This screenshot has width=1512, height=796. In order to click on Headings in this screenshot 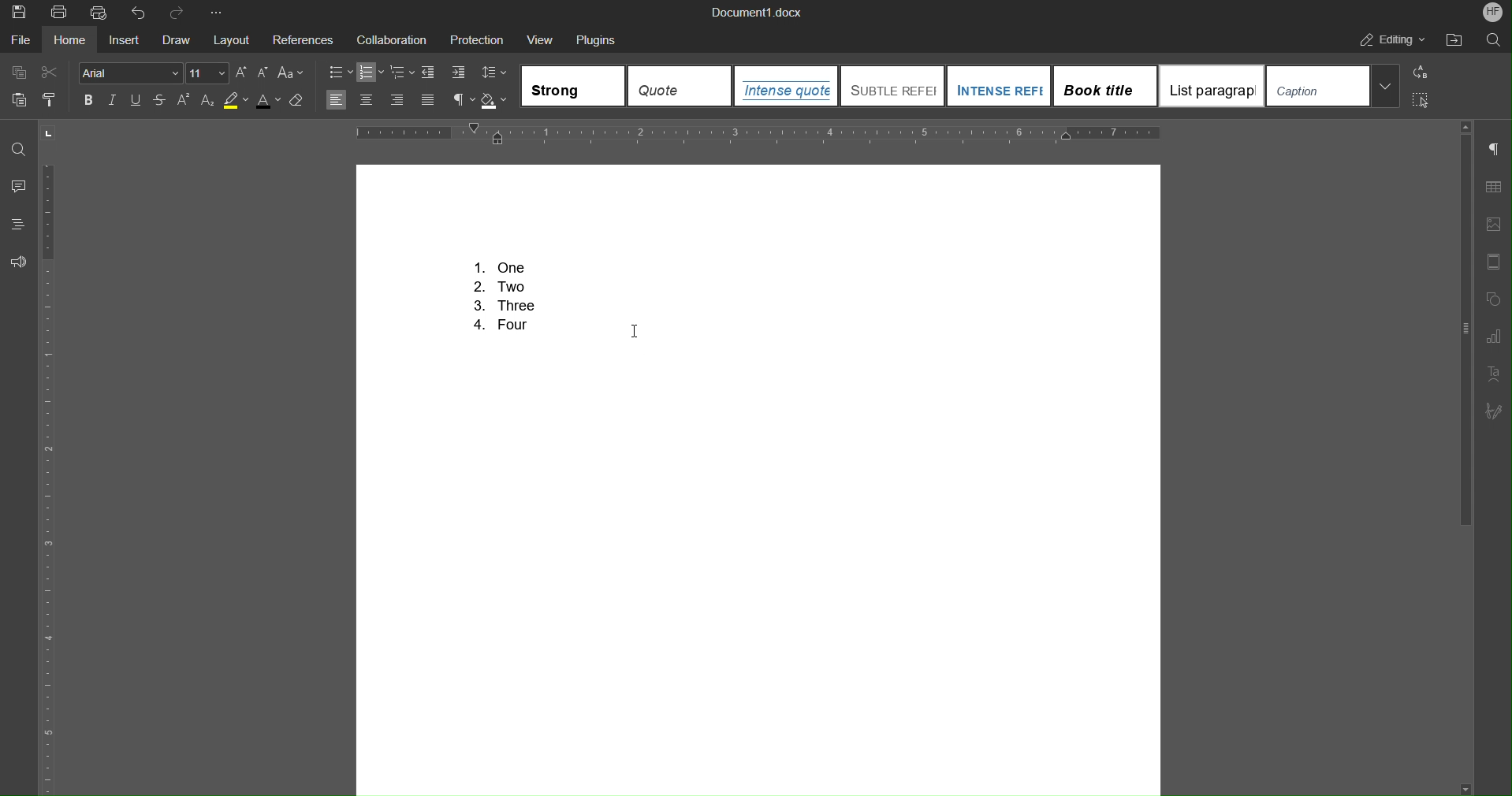, I will do `click(17, 225)`.